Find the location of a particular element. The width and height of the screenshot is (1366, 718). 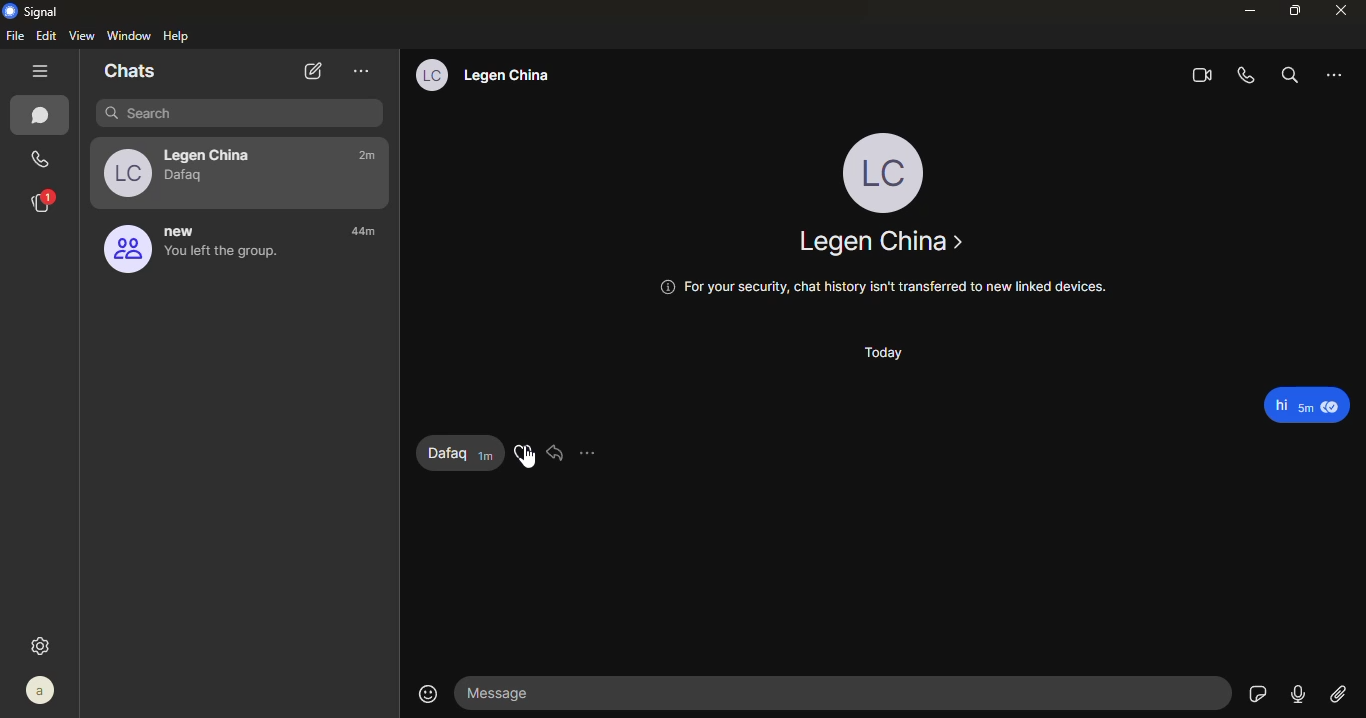

profile image is located at coordinates (125, 172).